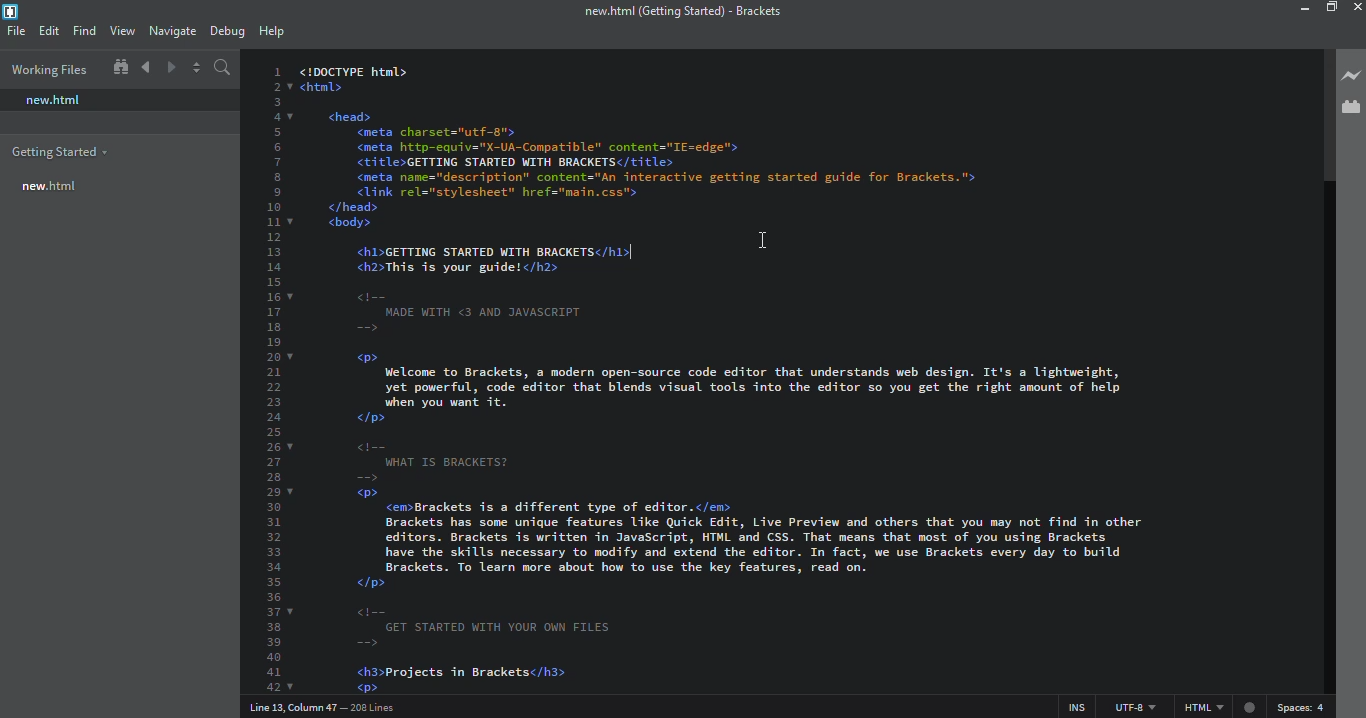 The width and height of the screenshot is (1366, 718). Describe the element at coordinates (121, 67) in the screenshot. I see `show in file tree` at that location.